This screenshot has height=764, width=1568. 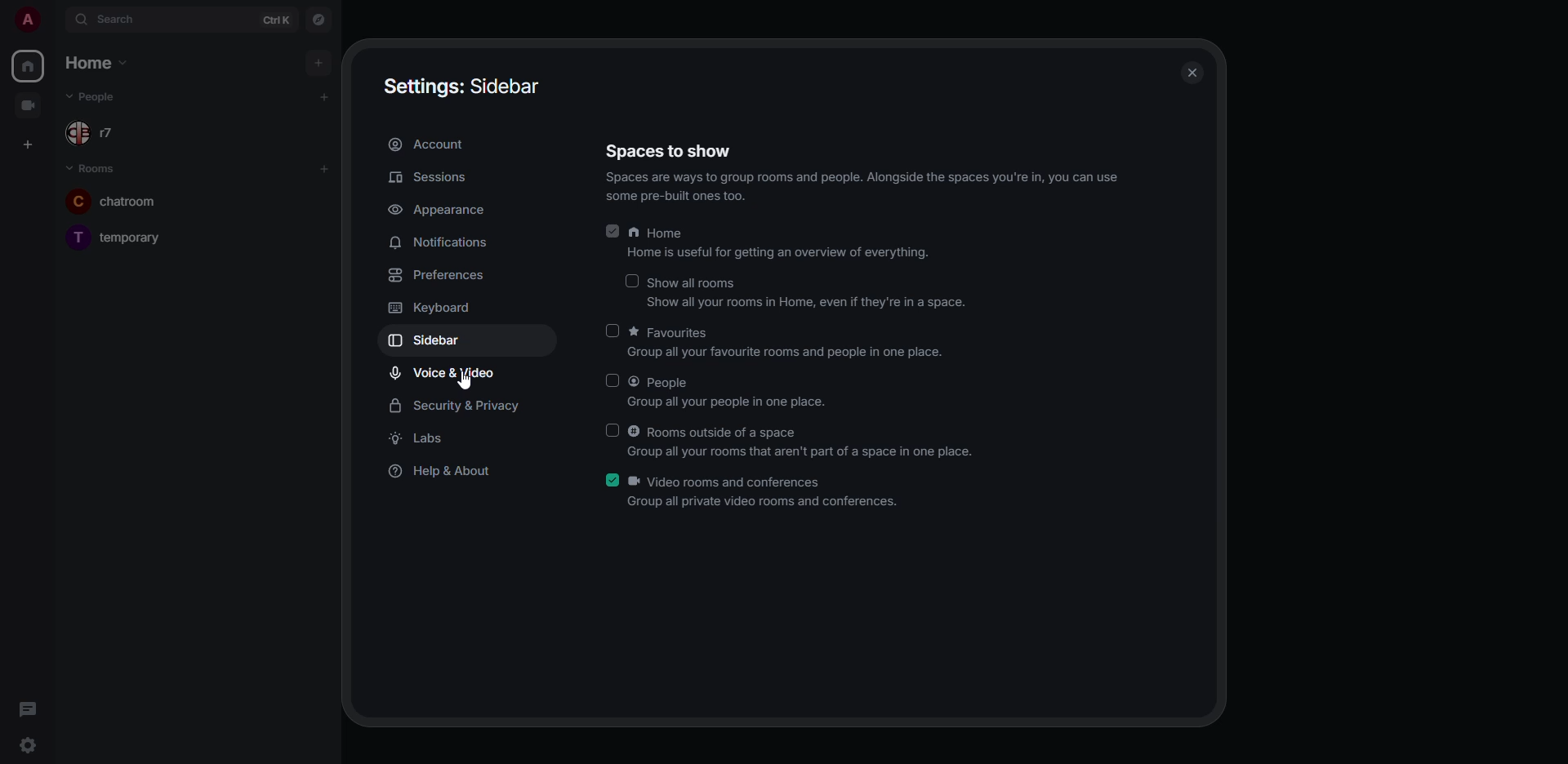 What do you see at coordinates (768, 493) in the screenshot?
I see `video rooms and conferences` at bounding box center [768, 493].